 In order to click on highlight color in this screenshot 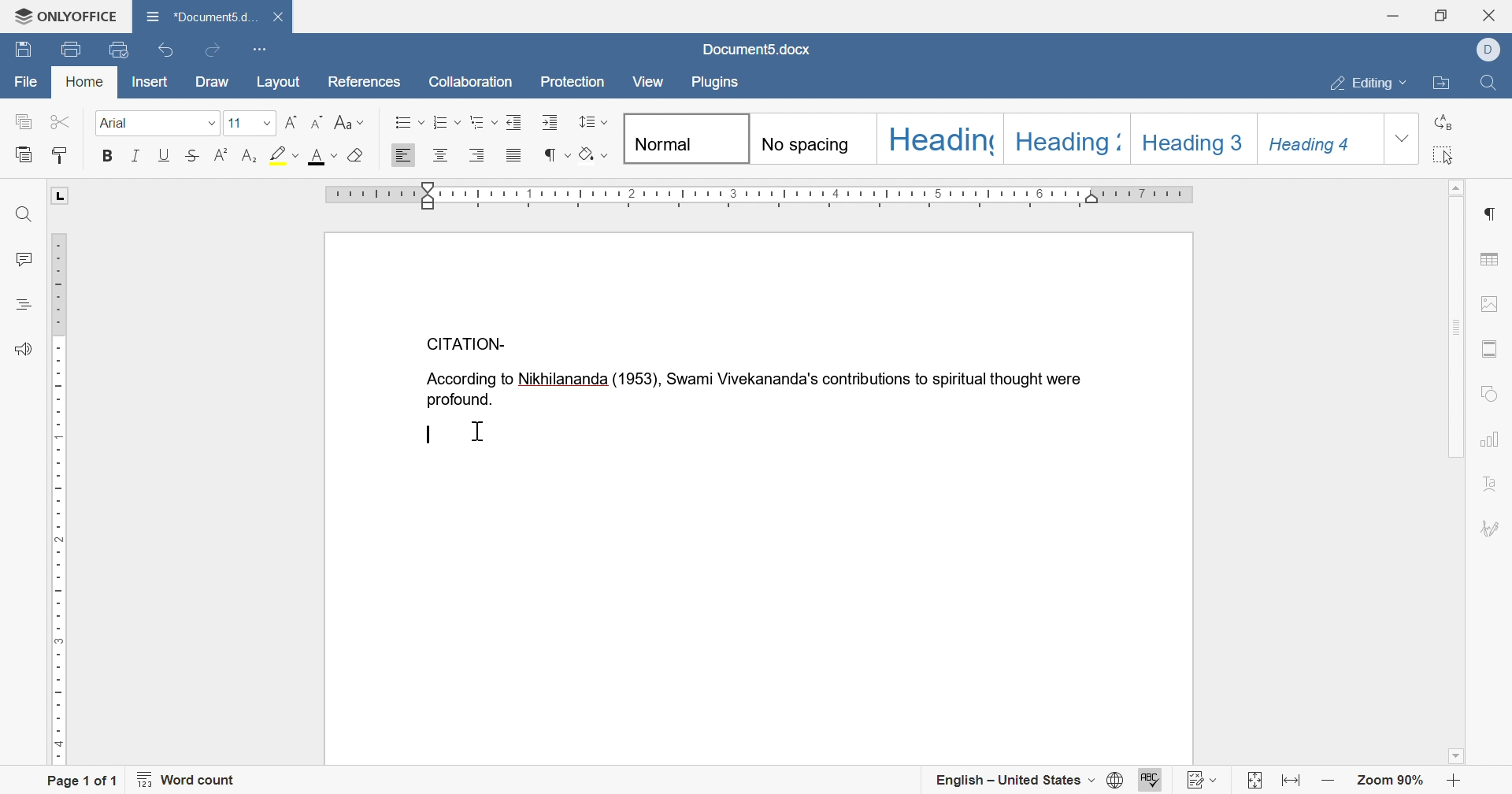, I will do `click(283, 155)`.